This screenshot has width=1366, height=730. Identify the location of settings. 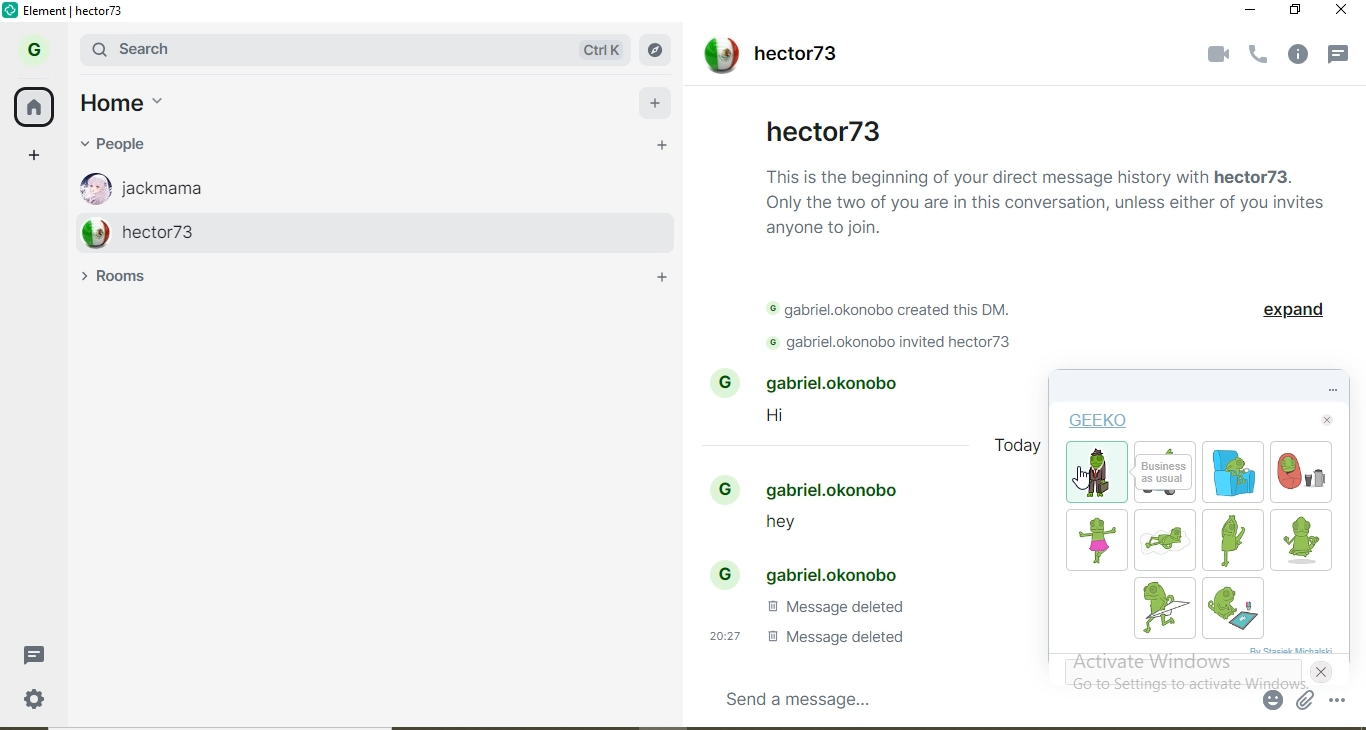
(46, 704).